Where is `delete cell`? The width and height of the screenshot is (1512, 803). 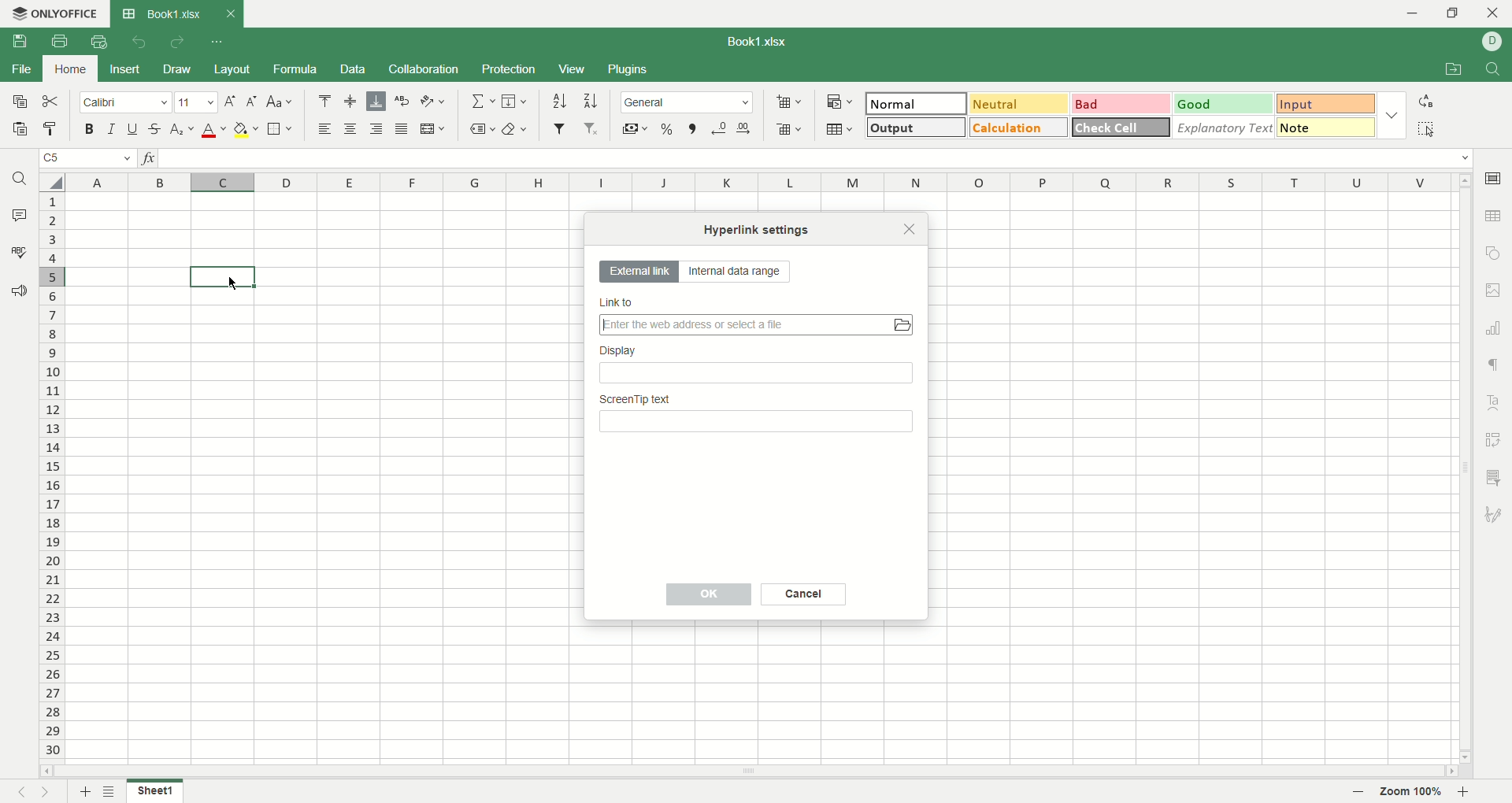
delete cell is located at coordinates (789, 131).